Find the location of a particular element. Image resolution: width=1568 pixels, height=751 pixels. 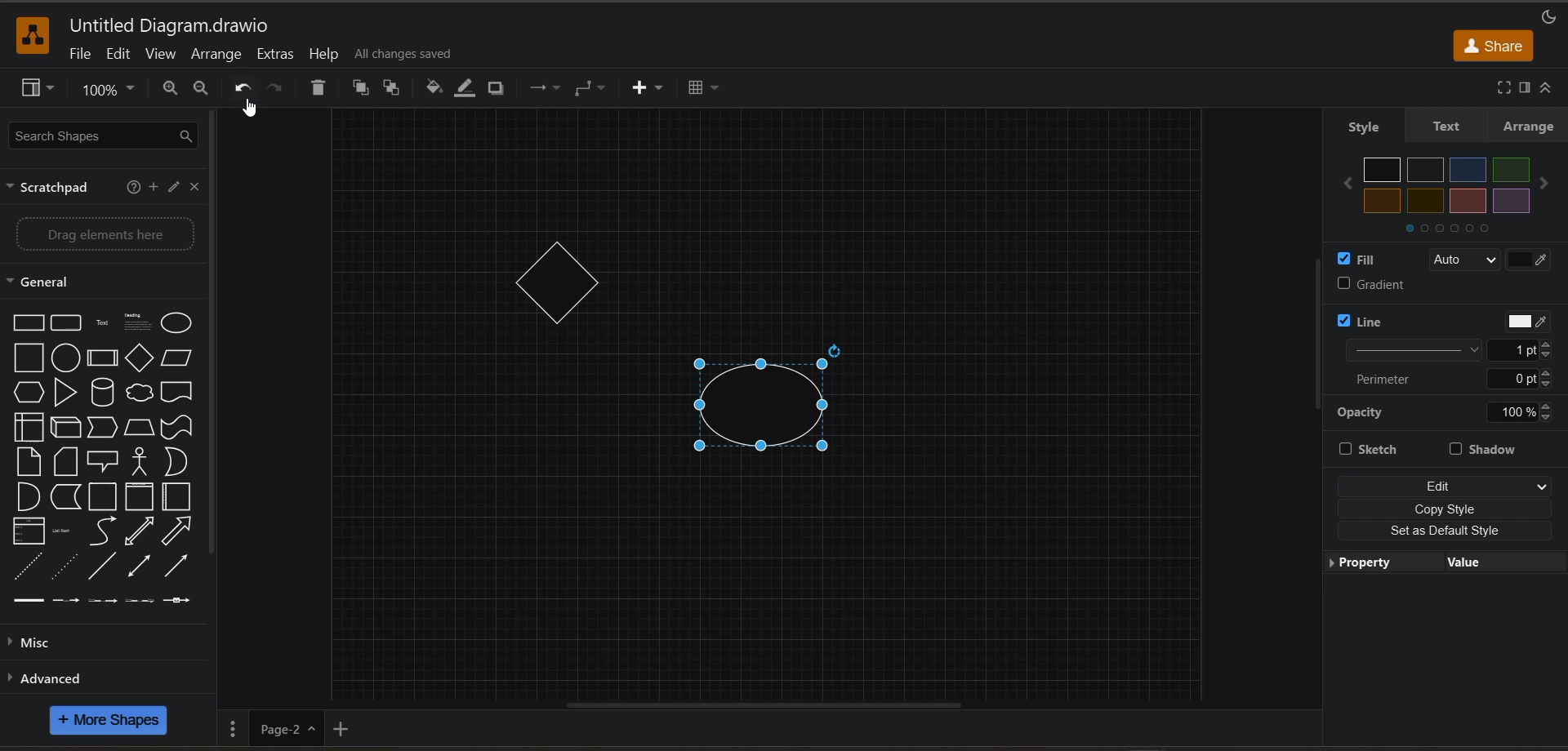

add is located at coordinates (157, 188).